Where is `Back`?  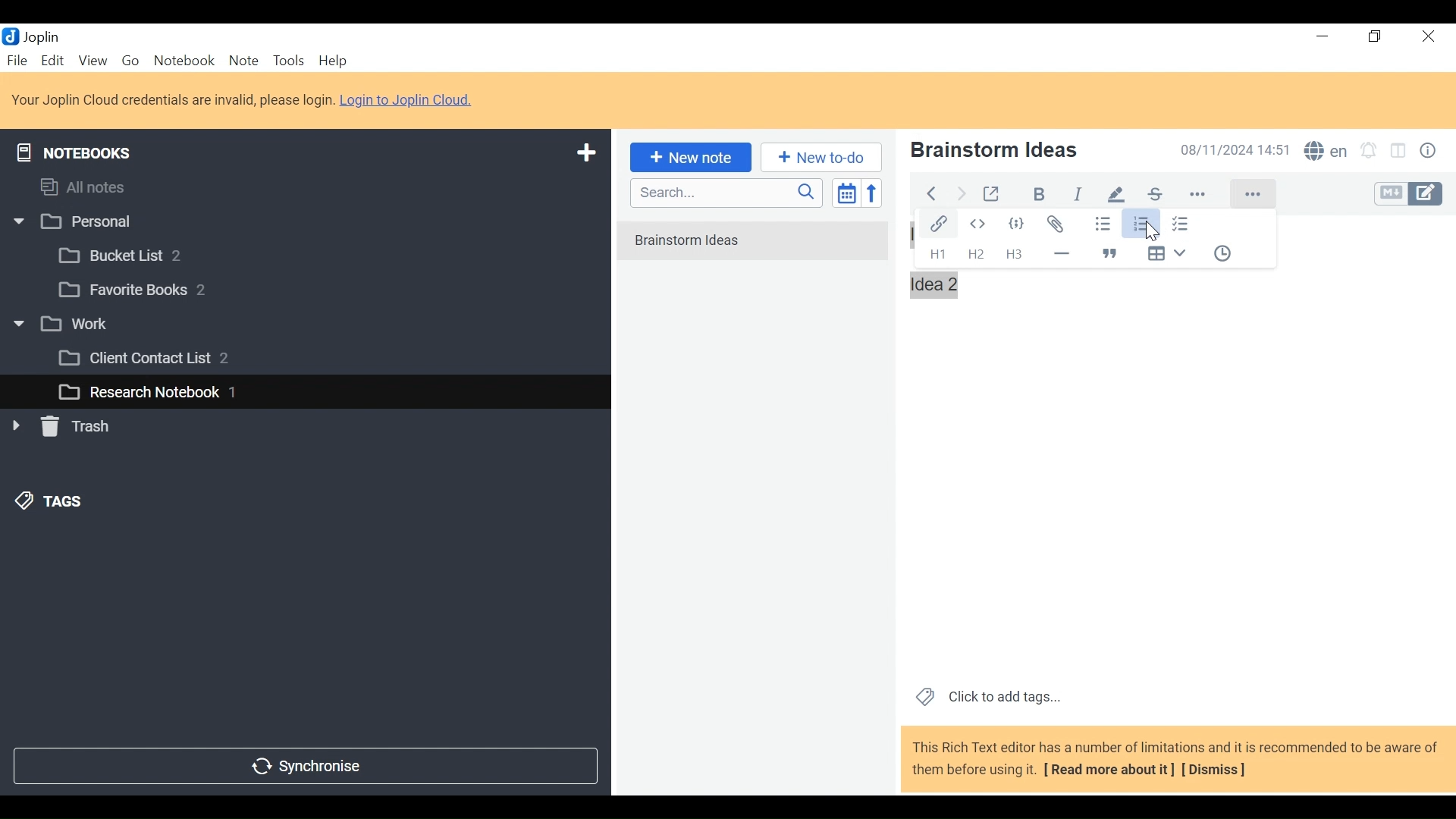 Back is located at coordinates (930, 191).